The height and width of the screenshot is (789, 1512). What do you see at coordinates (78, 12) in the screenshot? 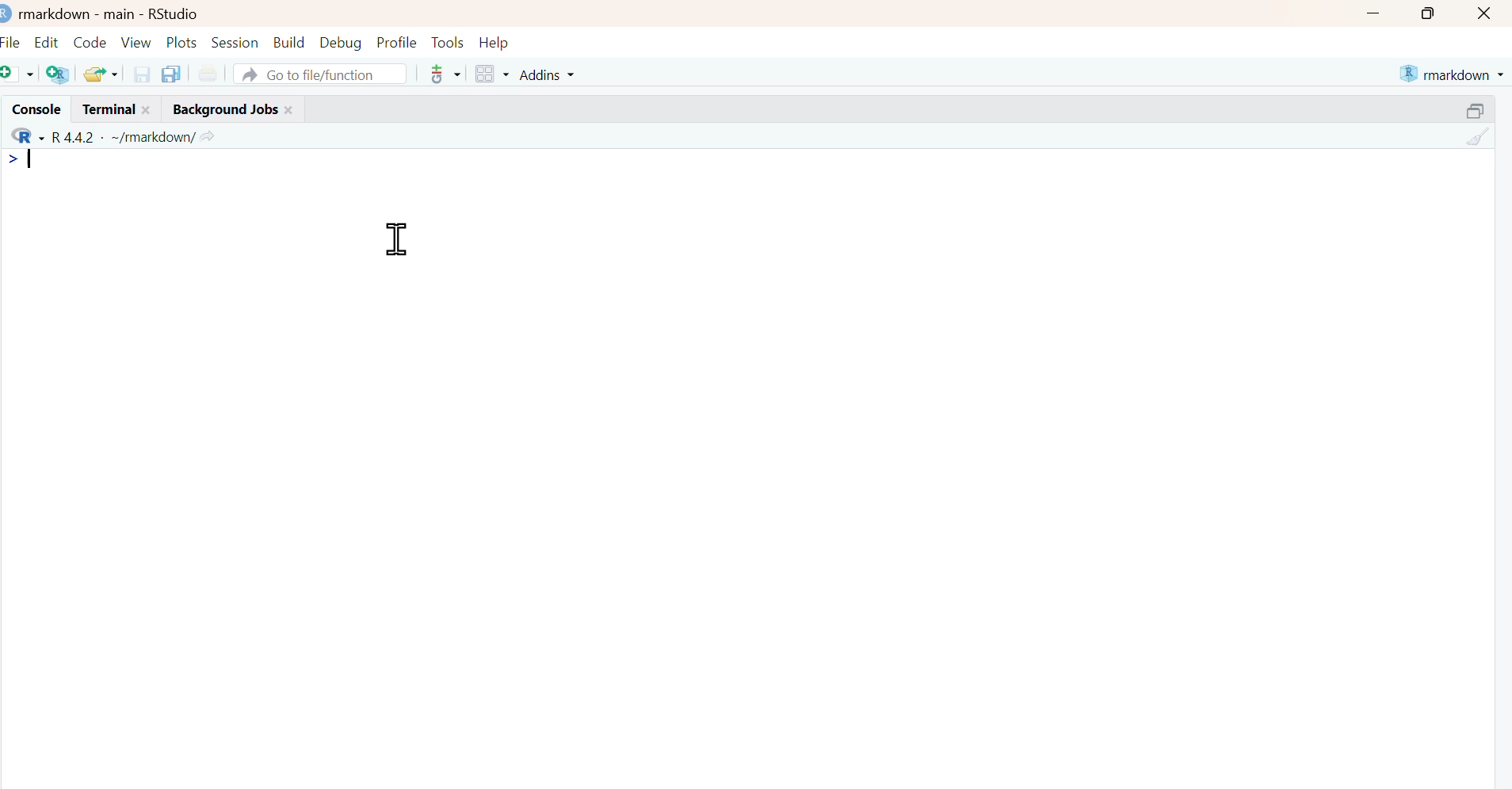
I see `markdown - main -` at bounding box center [78, 12].